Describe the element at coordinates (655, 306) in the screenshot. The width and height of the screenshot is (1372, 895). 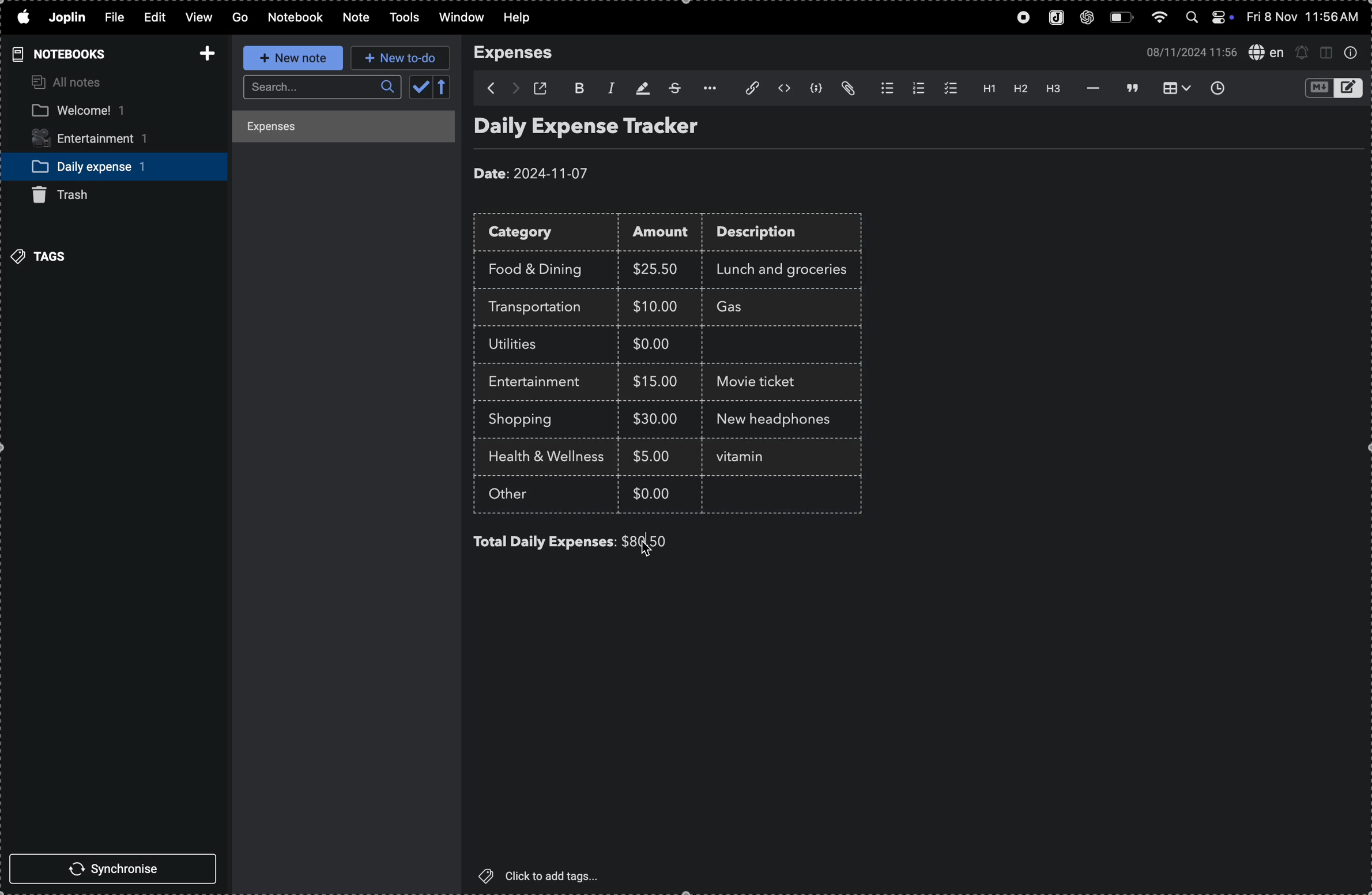
I see `$10.00` at that location.